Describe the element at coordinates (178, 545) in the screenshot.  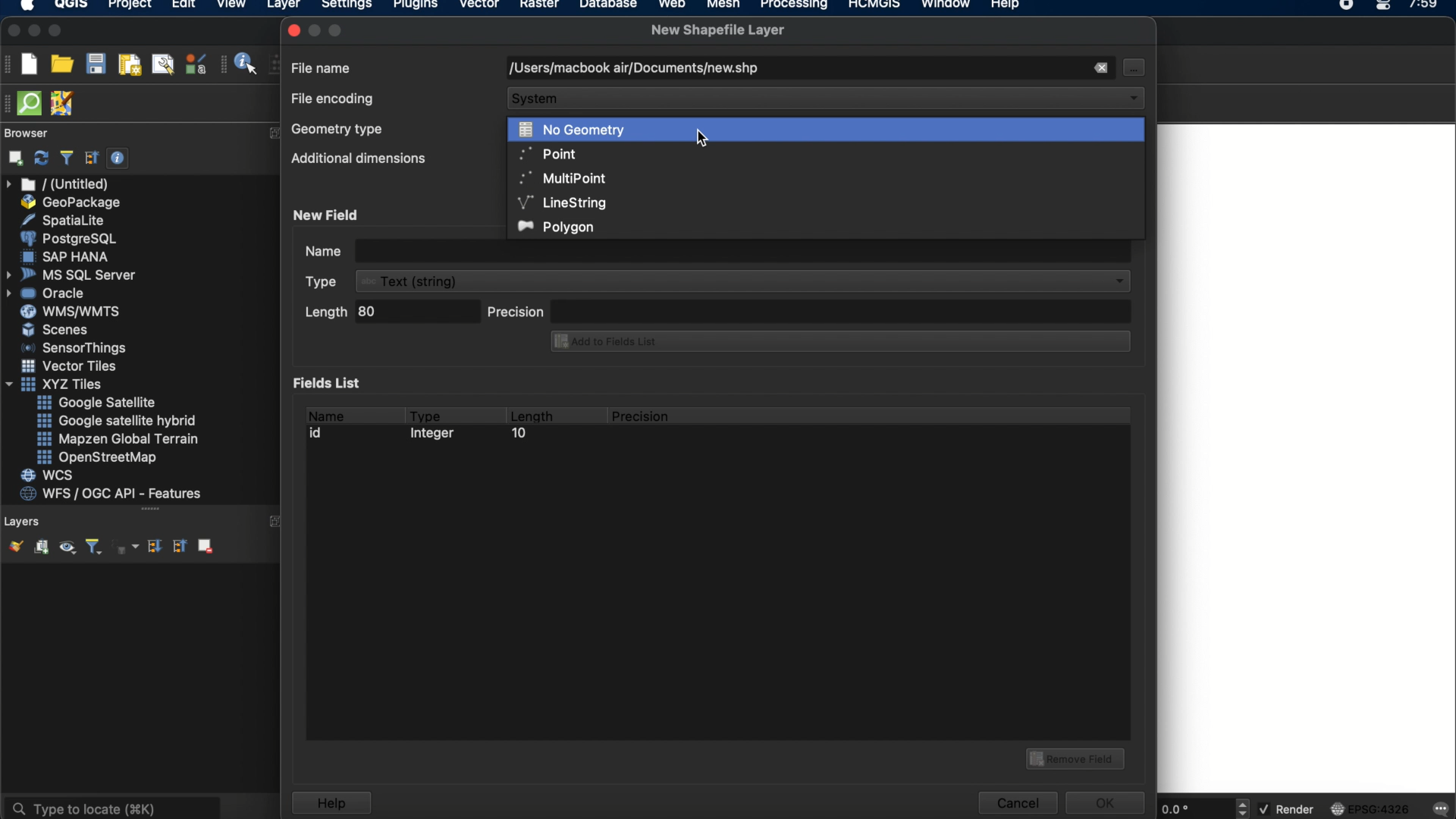
I see `collapse all` at that location.